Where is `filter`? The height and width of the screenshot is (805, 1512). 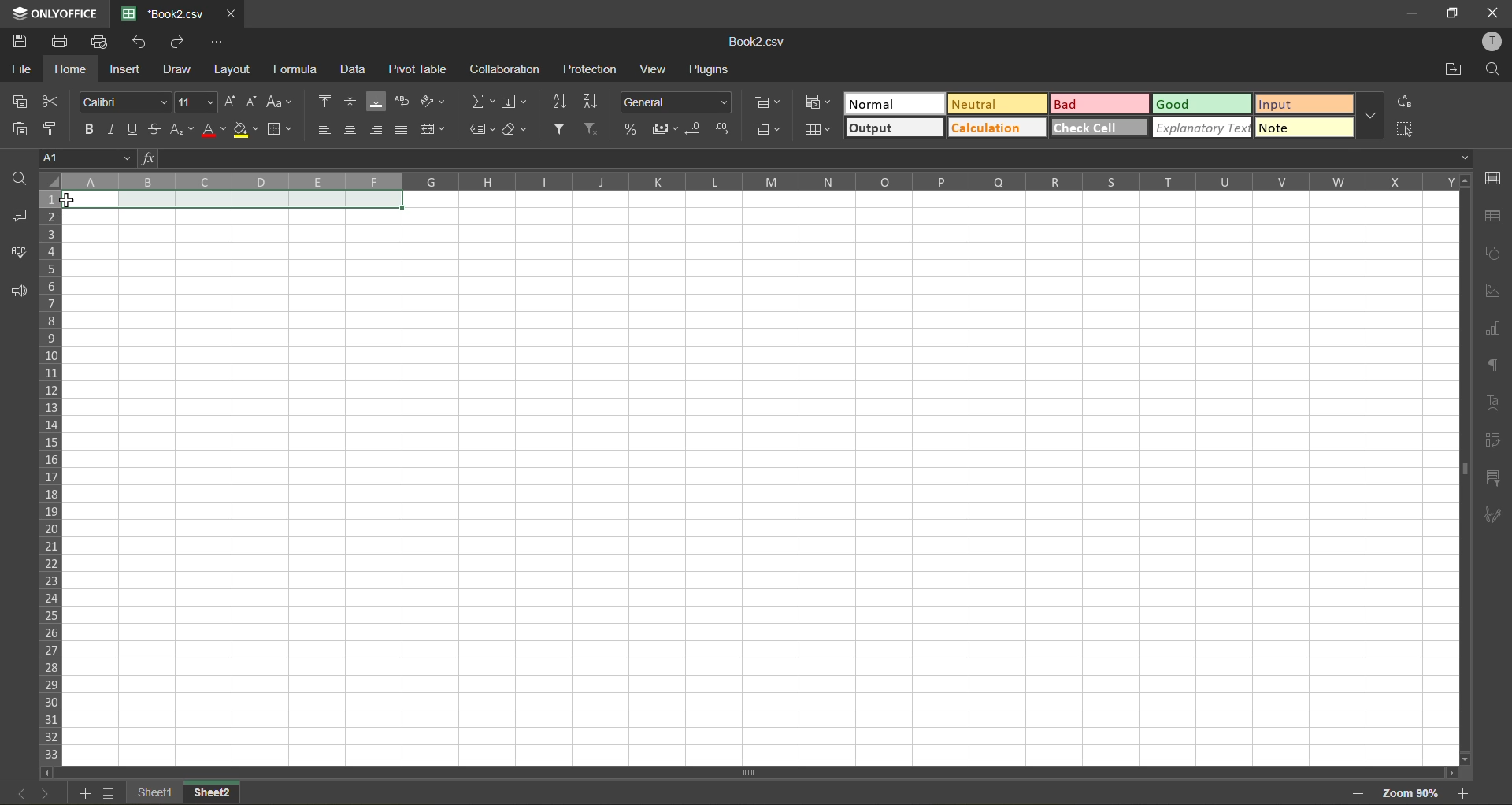
filter is located at coordinates (564, 130).